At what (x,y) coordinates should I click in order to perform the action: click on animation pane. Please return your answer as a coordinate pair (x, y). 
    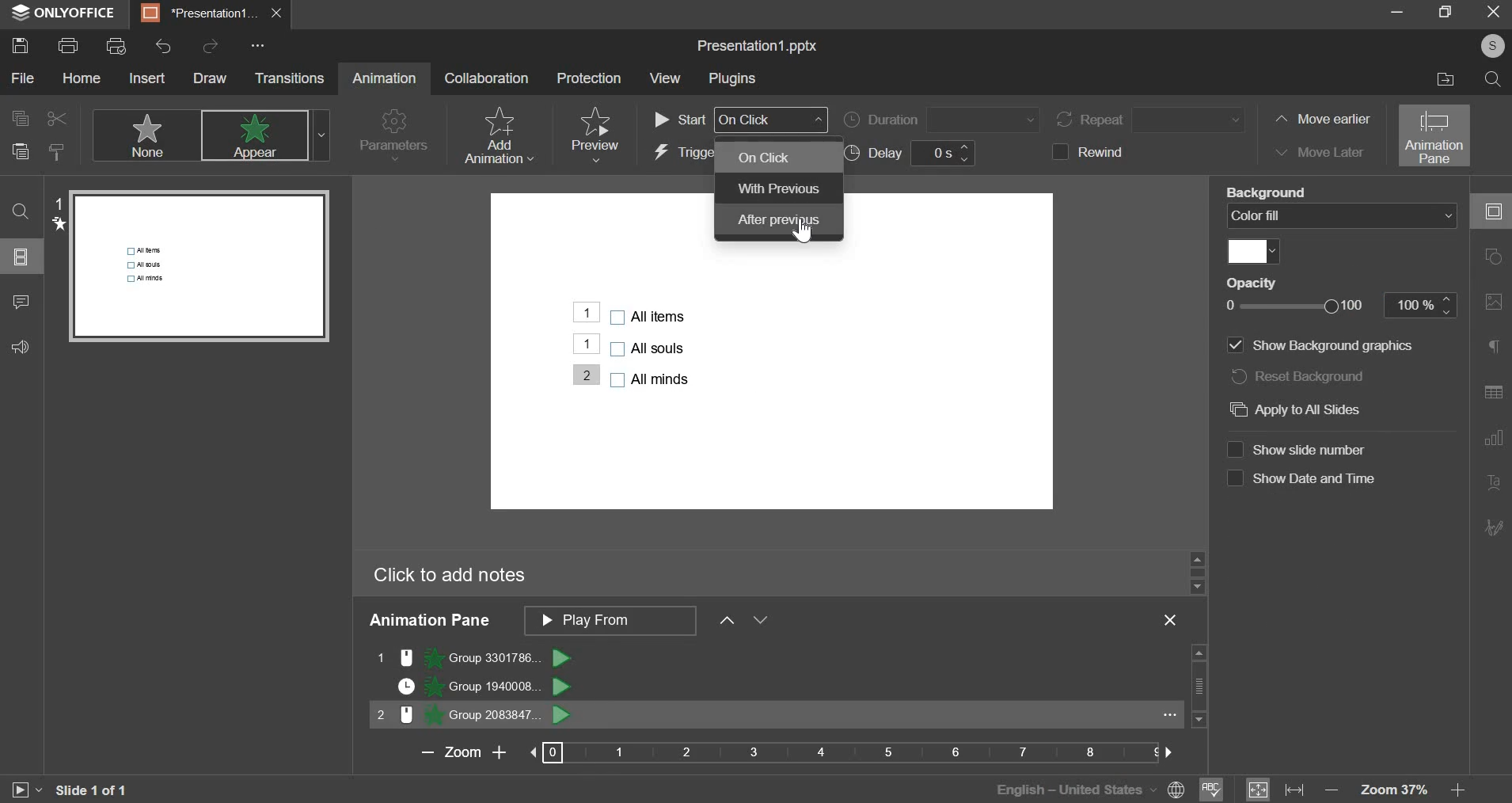
    Looking at the image, I should click on (1435, 135).